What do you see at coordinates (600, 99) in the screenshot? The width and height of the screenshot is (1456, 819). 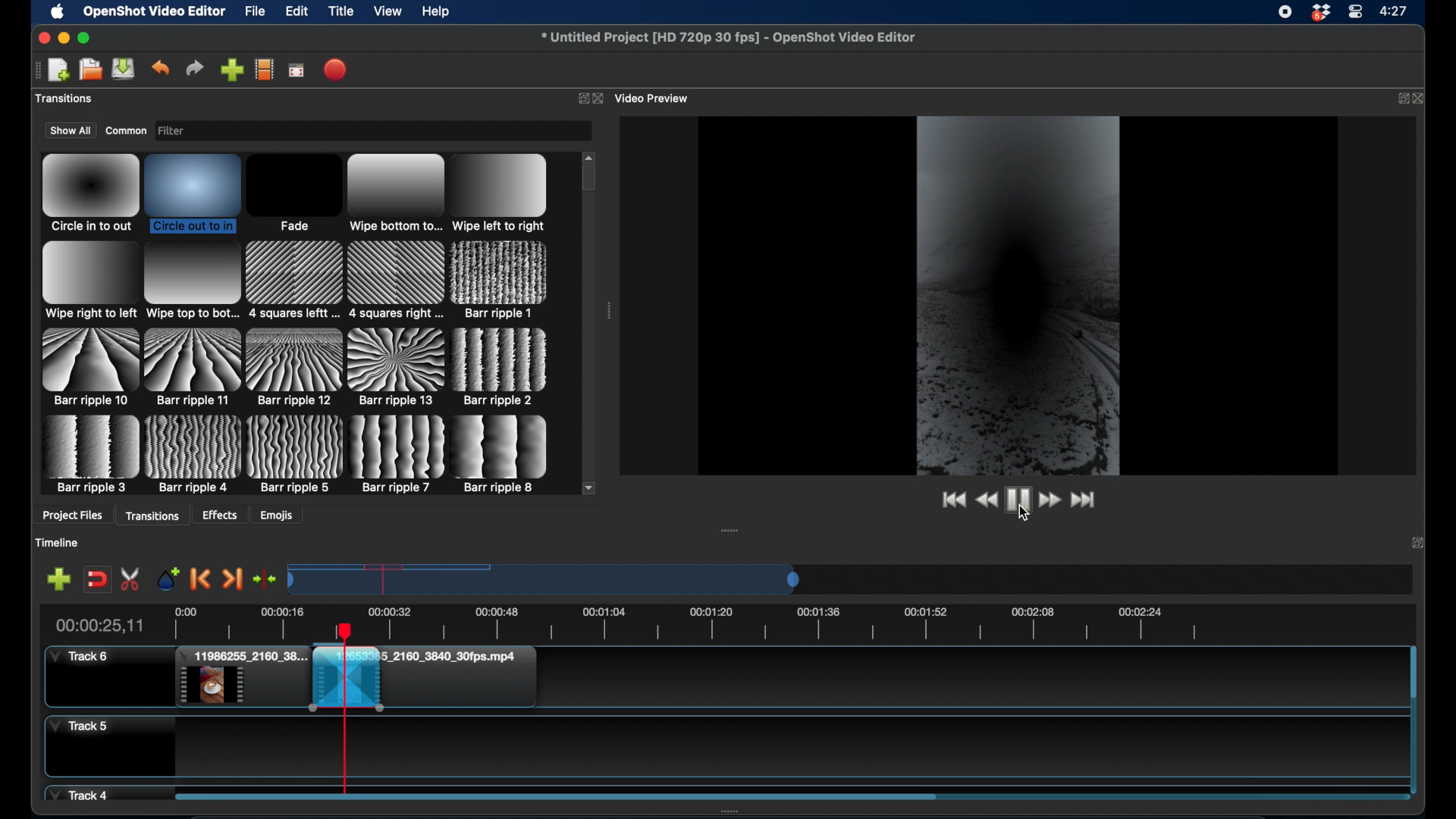 I see `close` at bounding box center [600, 99].